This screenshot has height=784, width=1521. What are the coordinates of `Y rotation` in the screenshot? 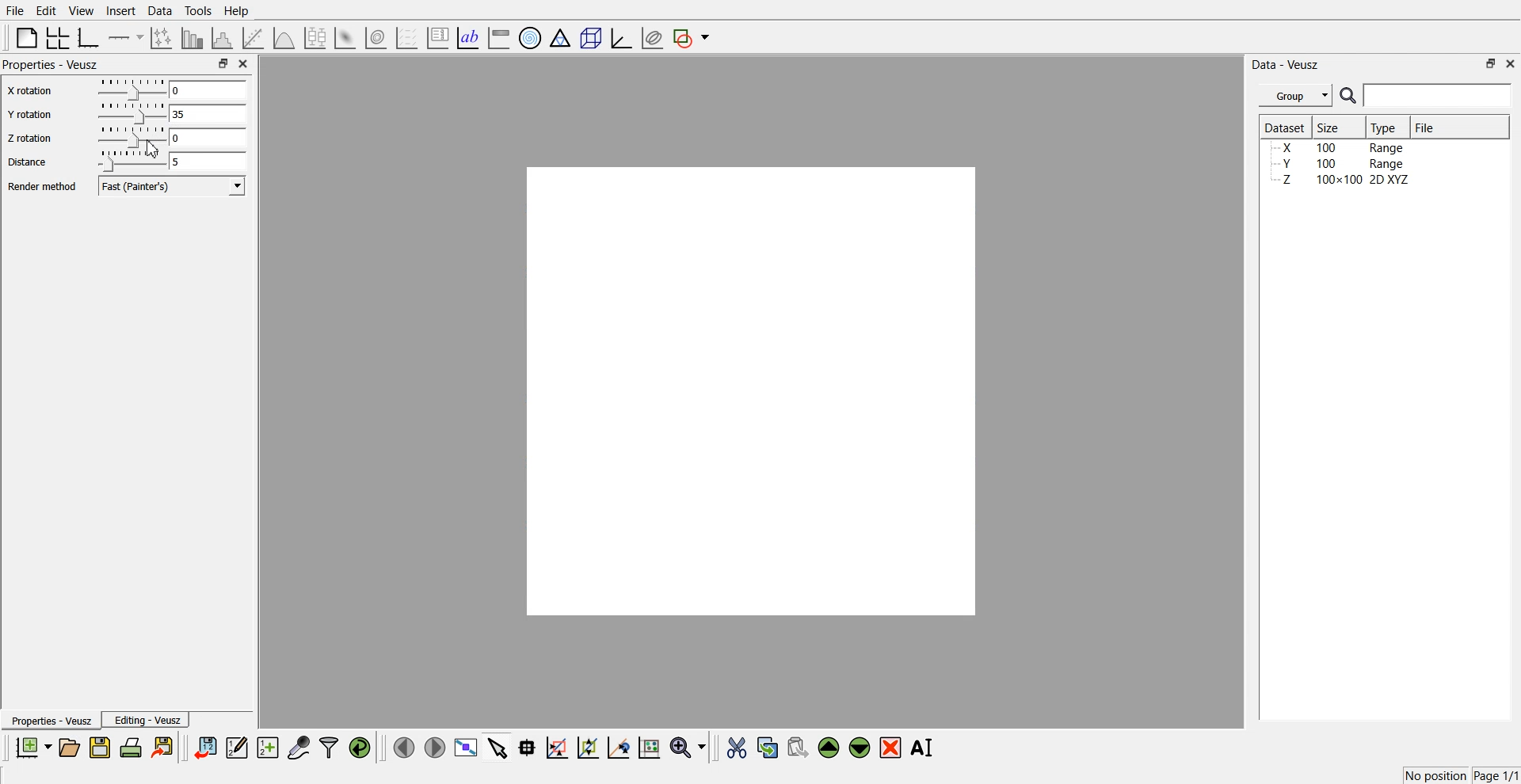 It's located at (31, 115).